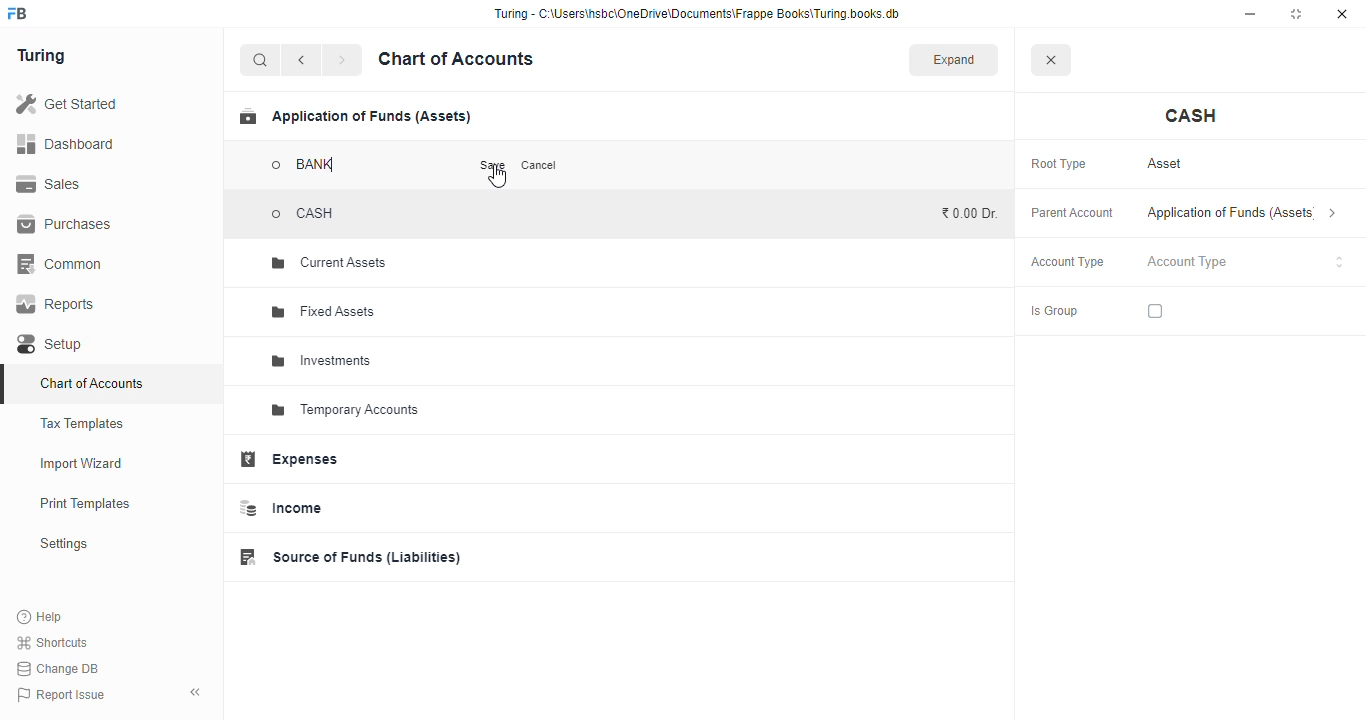  What do you see at coordinates (968, 213) in the screenshot?
I see `₹0.00 Dr.` at bounding box center [968, 213].